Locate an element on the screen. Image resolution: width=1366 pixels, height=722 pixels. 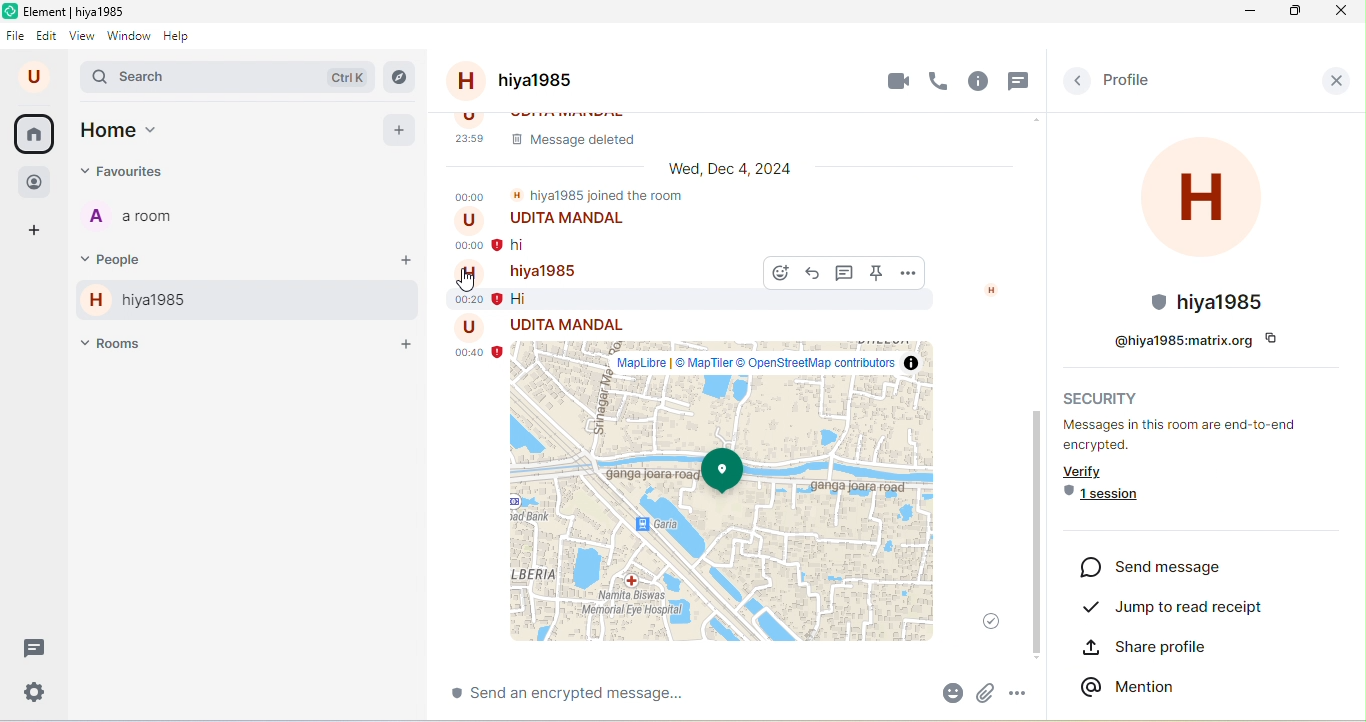
Element | hiya1985 is located at coordinates (69, 12).